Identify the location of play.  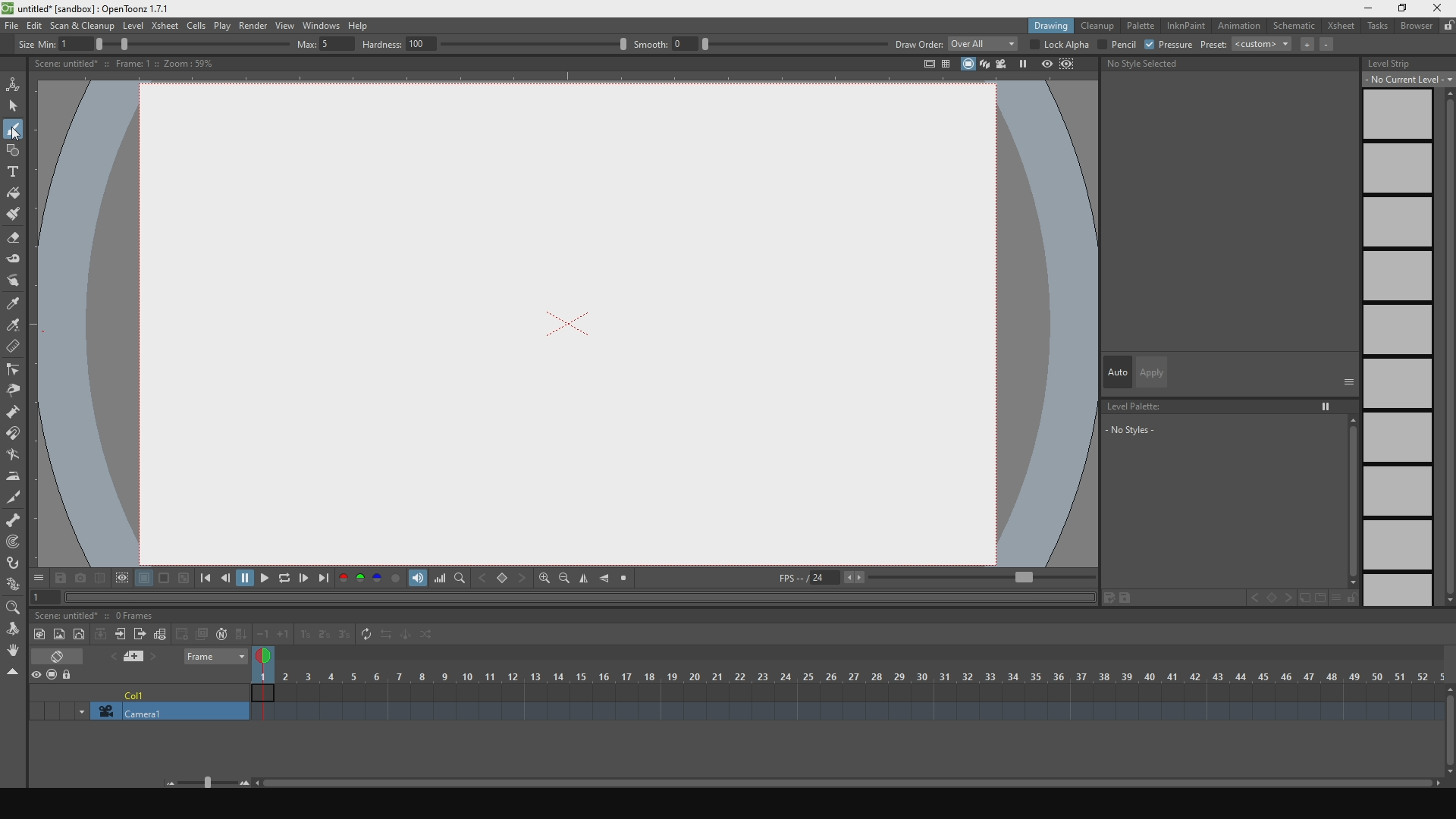
(268, 579).